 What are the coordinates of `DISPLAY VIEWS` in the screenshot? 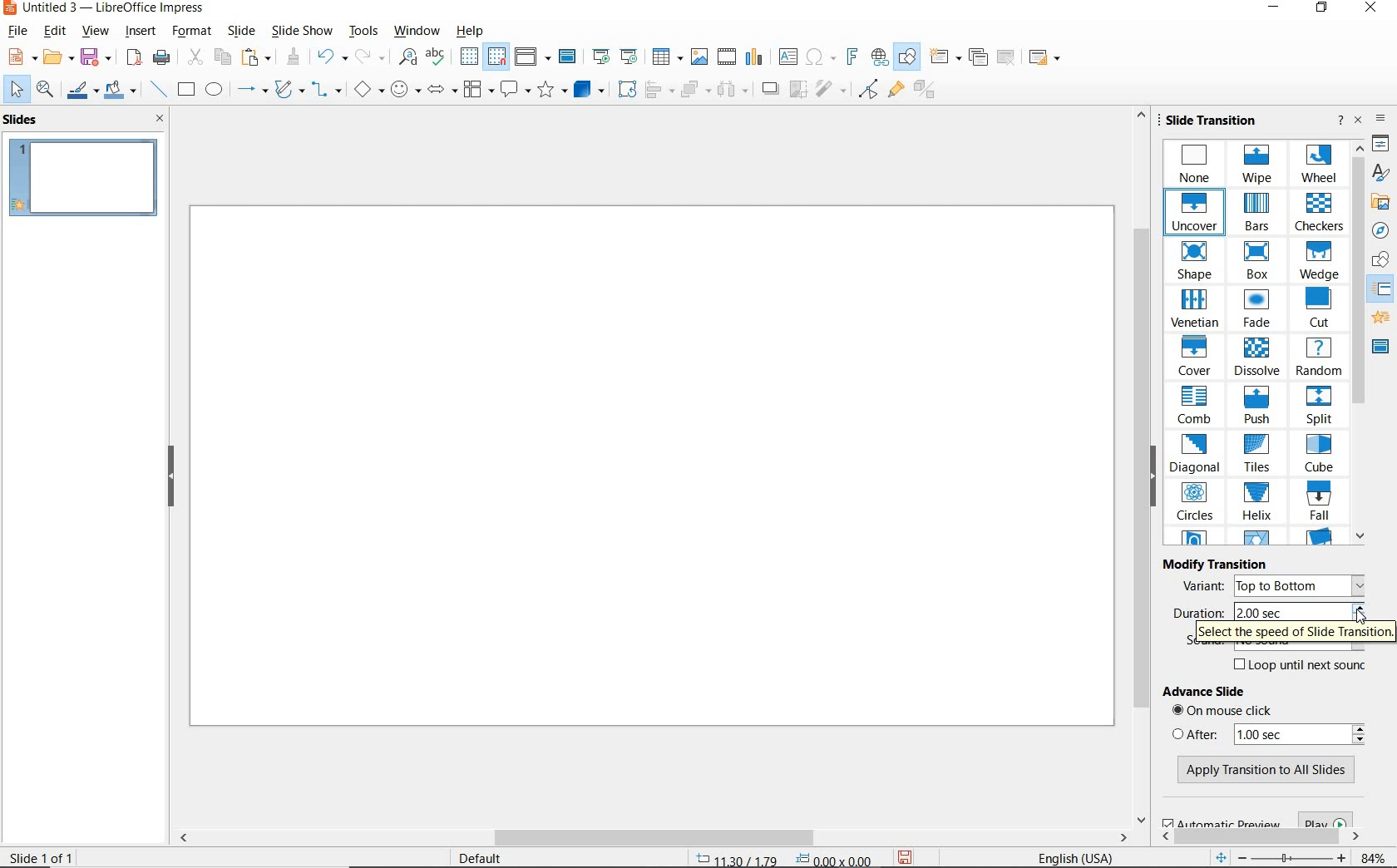 It's located at (532, 56).